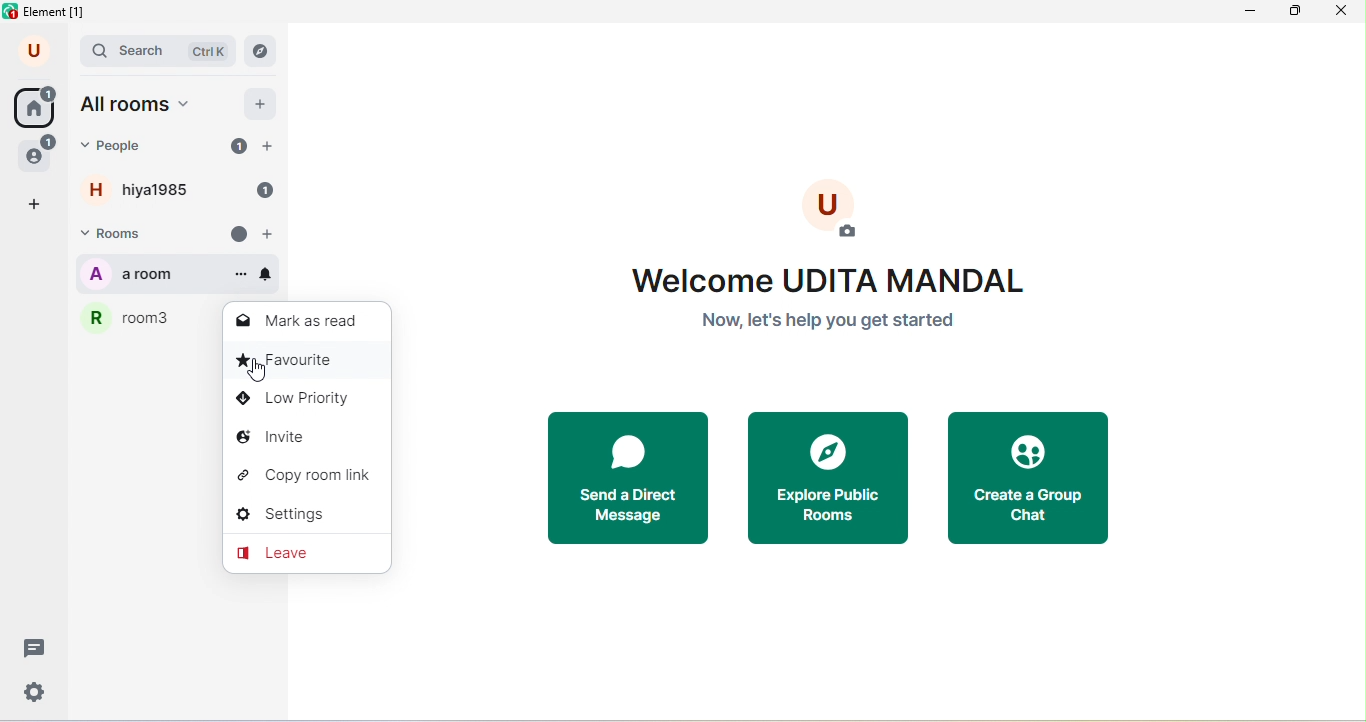  What do you see at coordinates (1027, 481) in the screenshot?
I see `create a group chat` at bounding box center [1027, 481].